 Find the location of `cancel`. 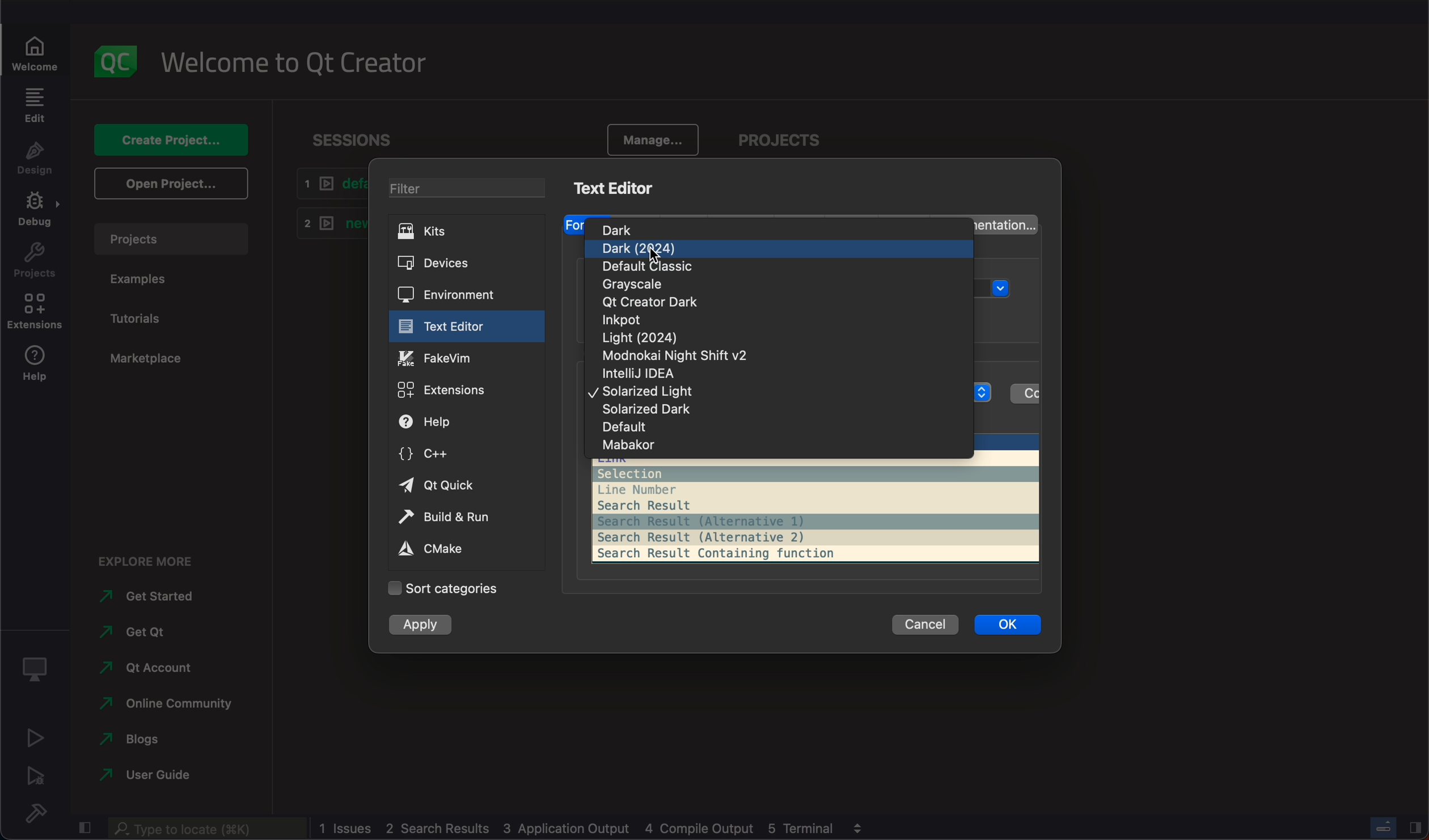

cancel is located at coordinates (927, 627).